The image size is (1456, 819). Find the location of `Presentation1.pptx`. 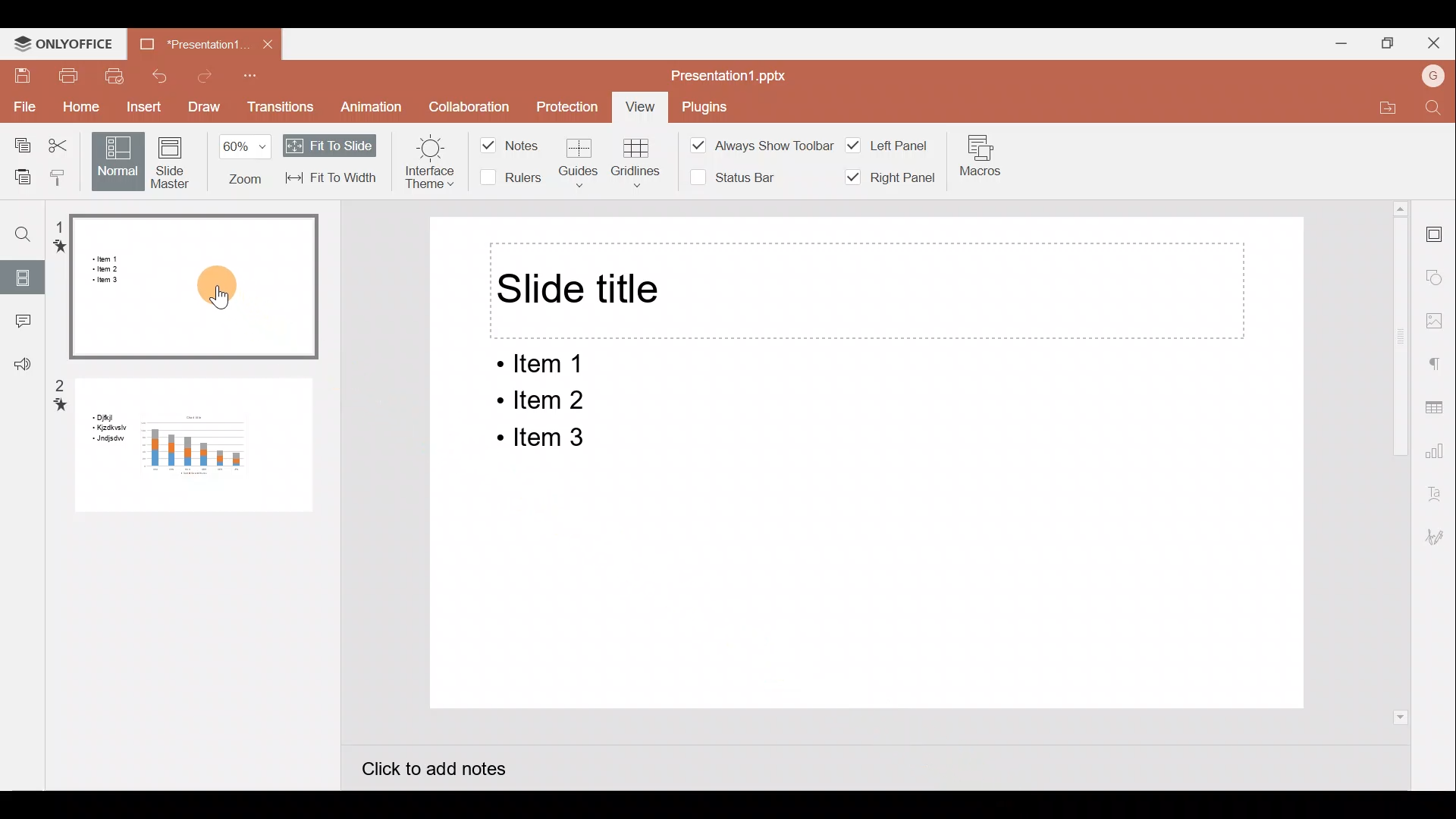

Presentation1.pptx is located at coordinates (731, 74).